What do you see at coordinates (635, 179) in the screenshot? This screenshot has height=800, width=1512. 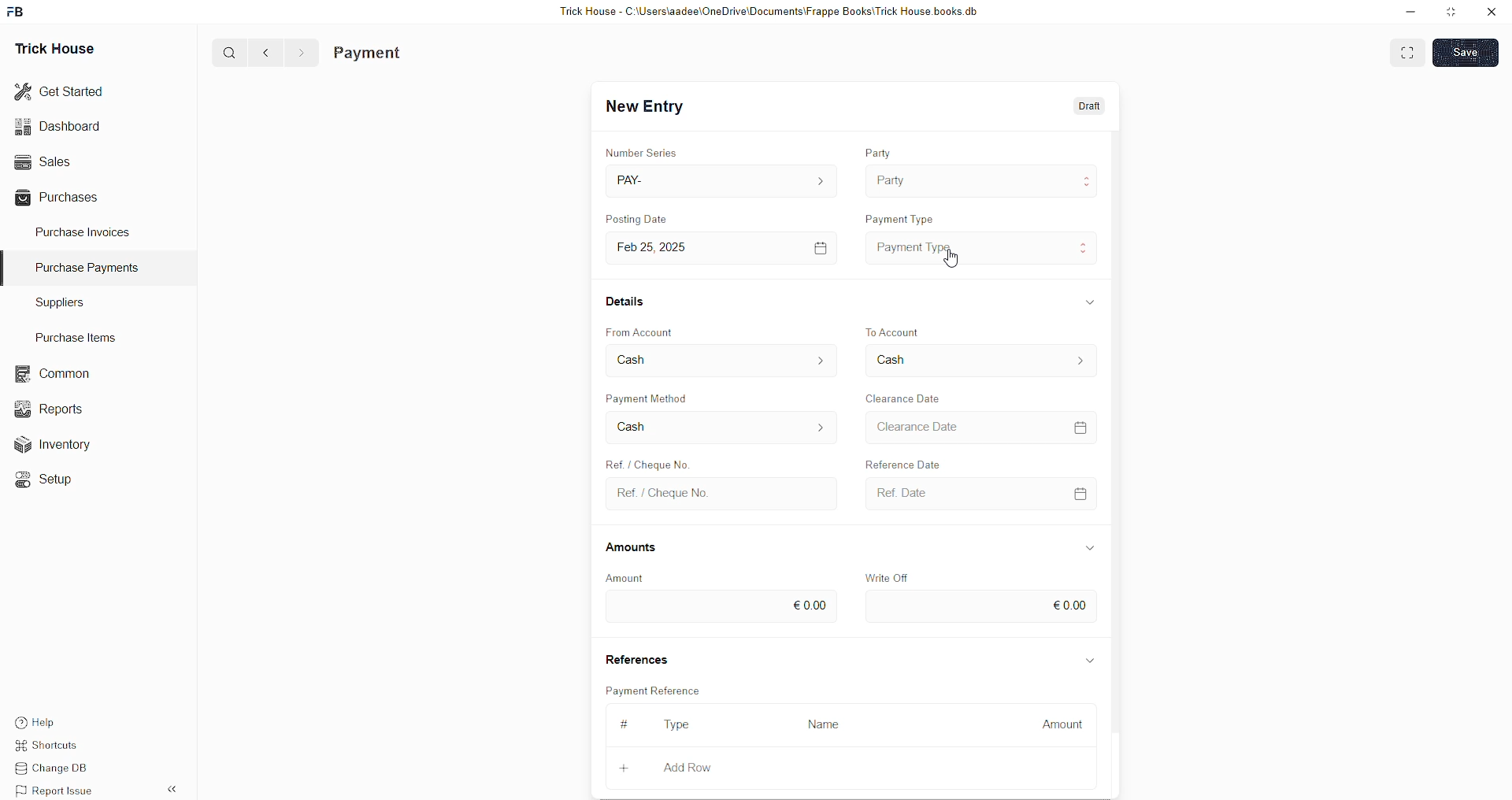 I see `PAY-` at bounding box center [635, 179].